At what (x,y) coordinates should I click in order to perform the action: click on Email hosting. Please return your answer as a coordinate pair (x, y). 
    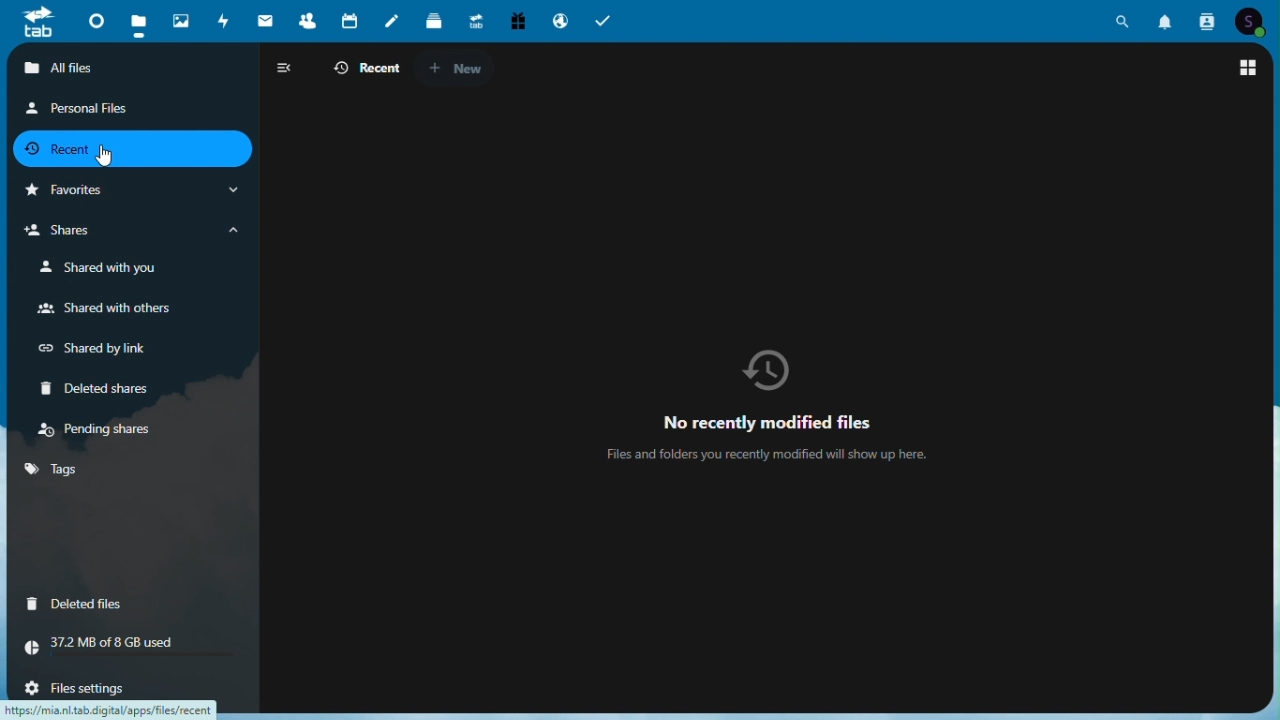
    Looking at the image, I should click on (559, 21).